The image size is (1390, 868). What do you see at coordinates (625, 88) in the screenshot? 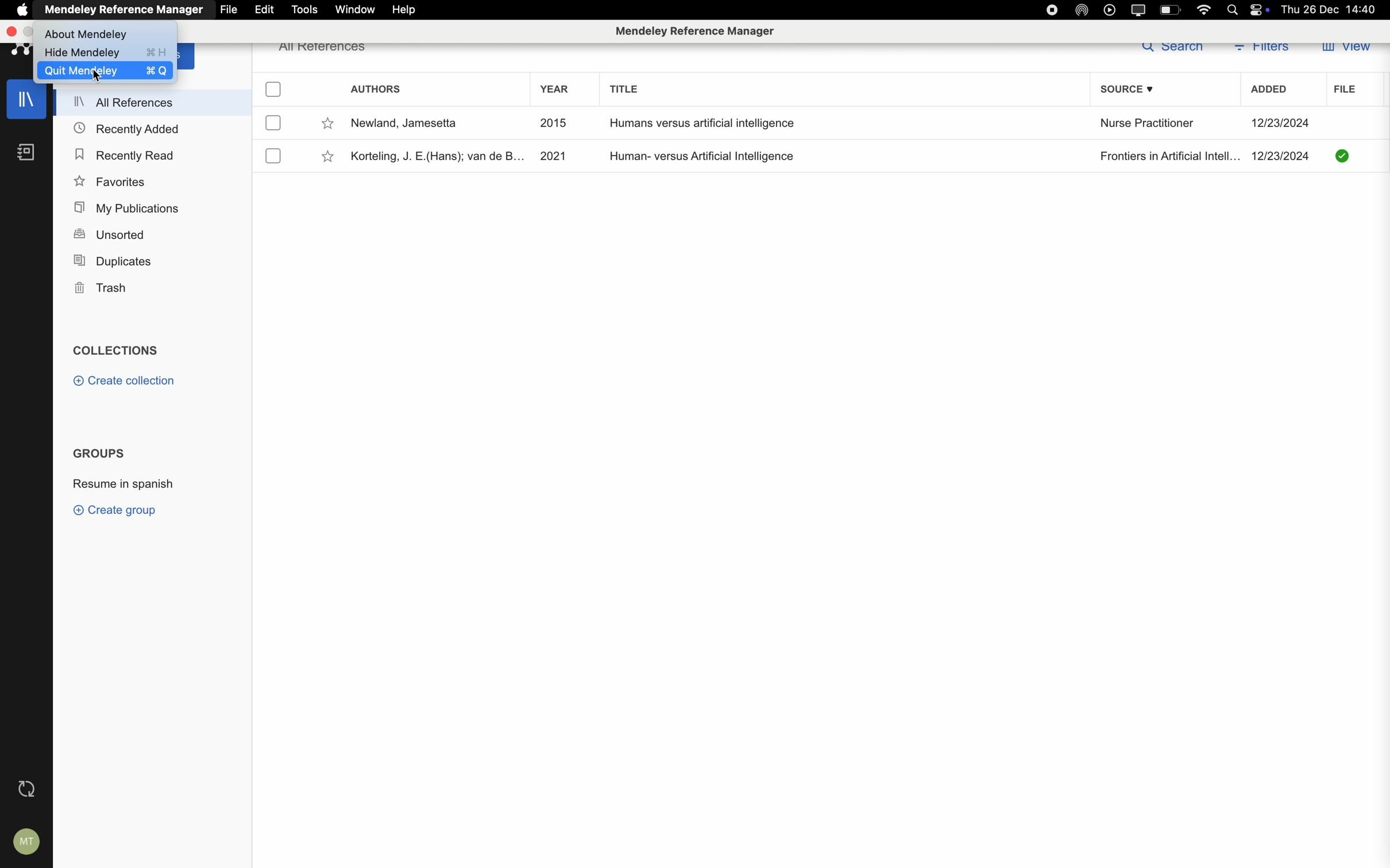
I see `title` at bounding box center [625, 88].